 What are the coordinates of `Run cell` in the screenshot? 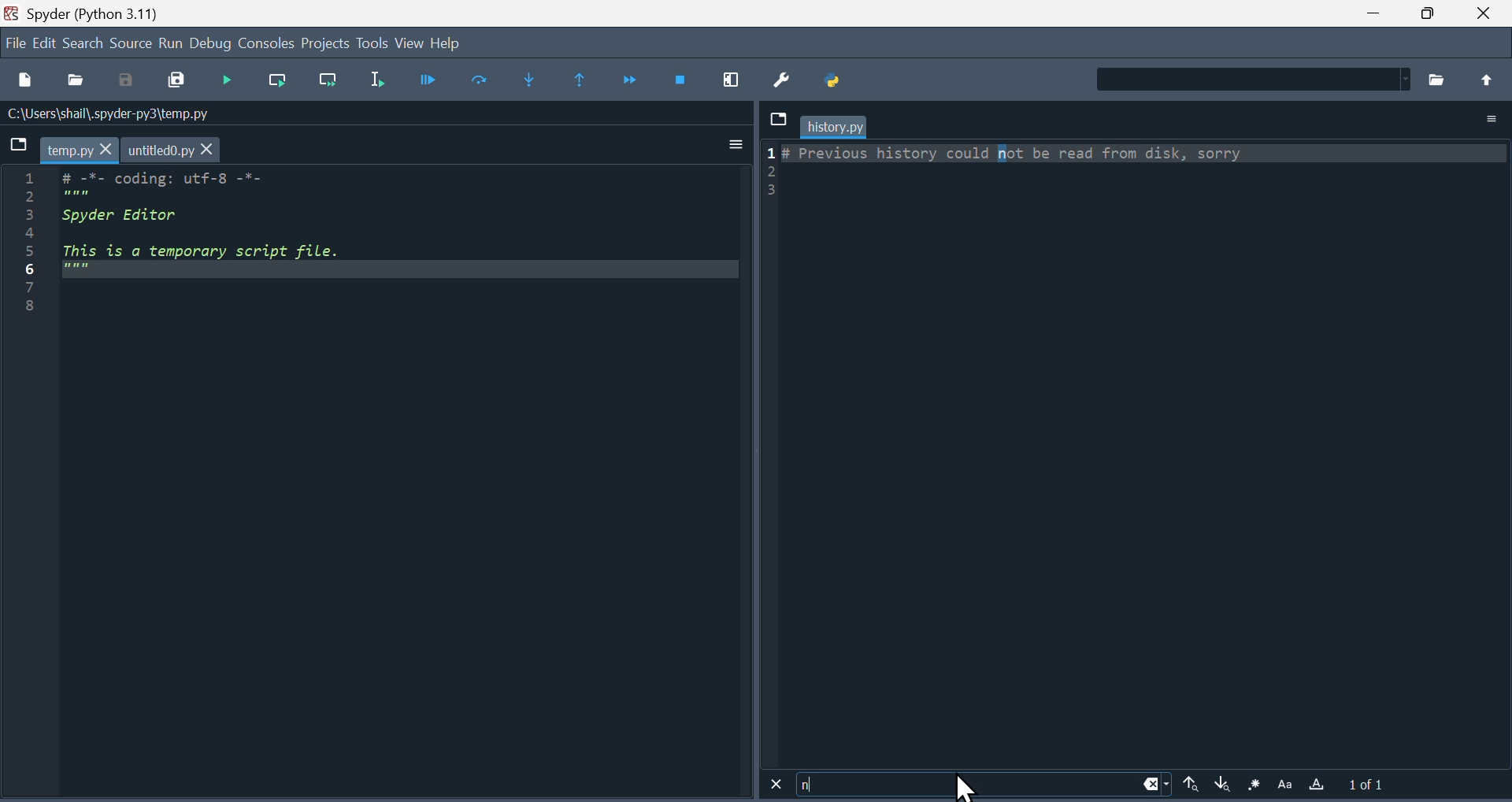 It's located at (487, 79).